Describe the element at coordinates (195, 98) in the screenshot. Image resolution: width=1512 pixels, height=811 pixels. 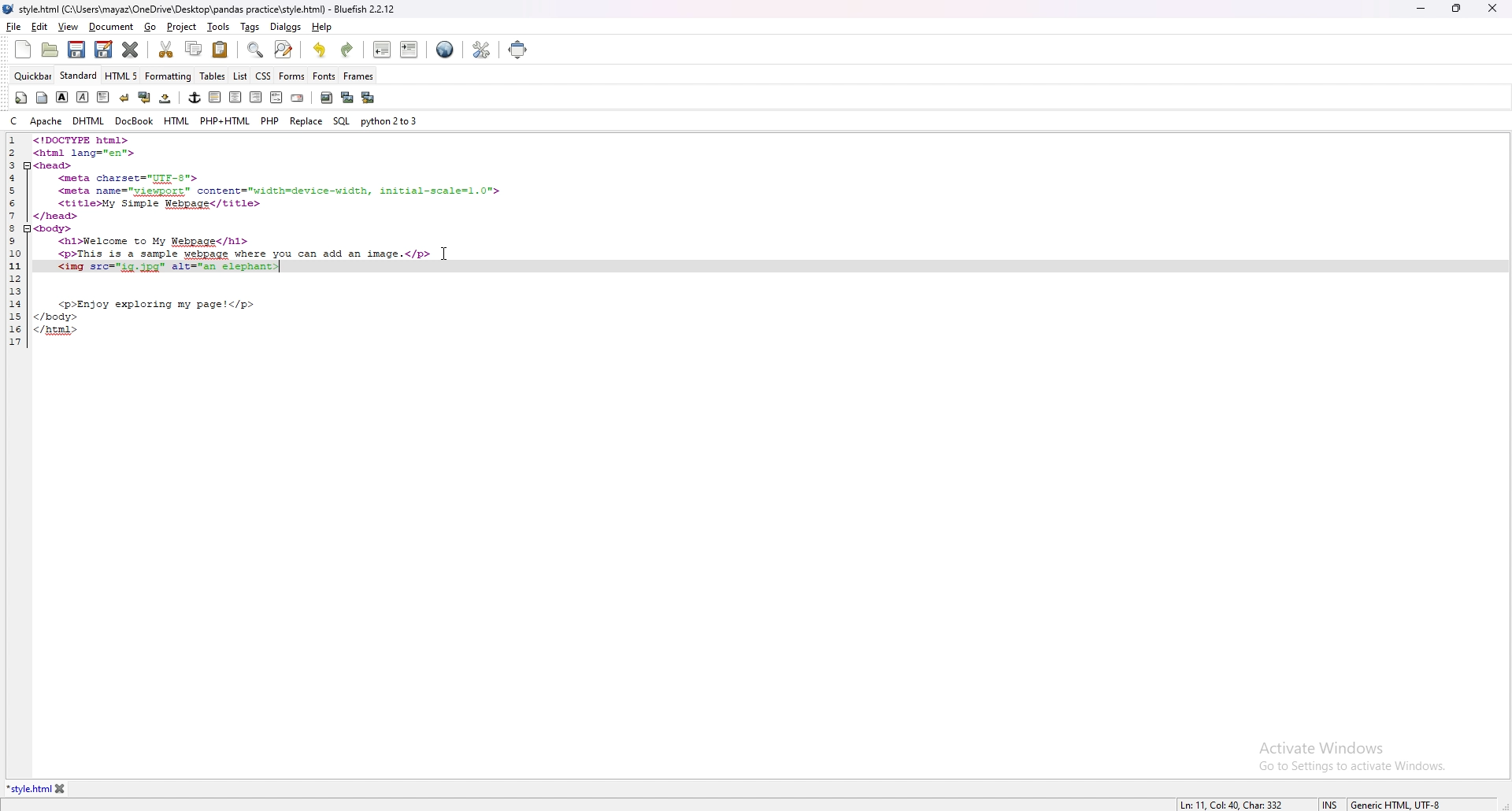
I see `anchor` at that location.